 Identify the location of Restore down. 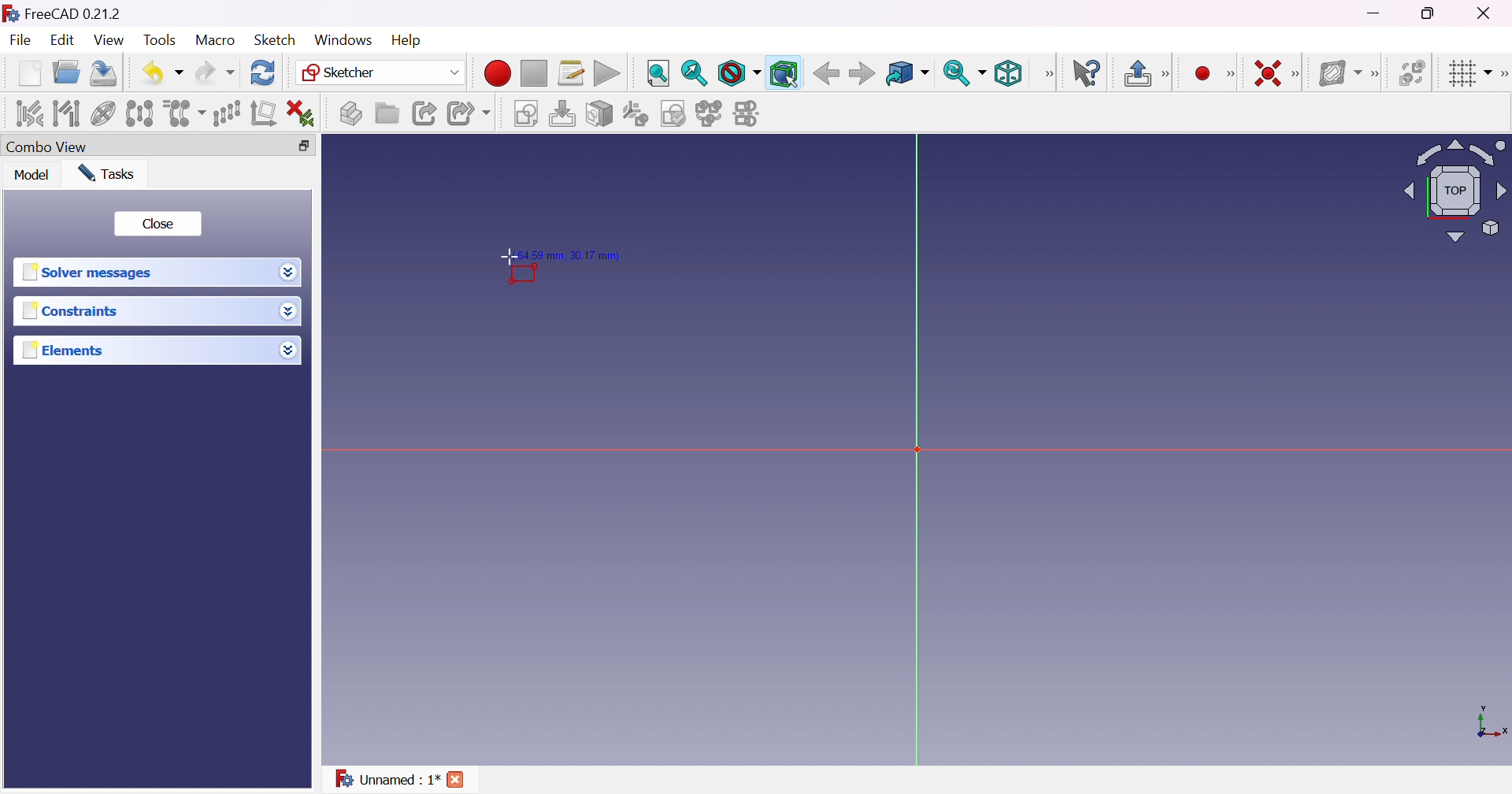
(304, 146).